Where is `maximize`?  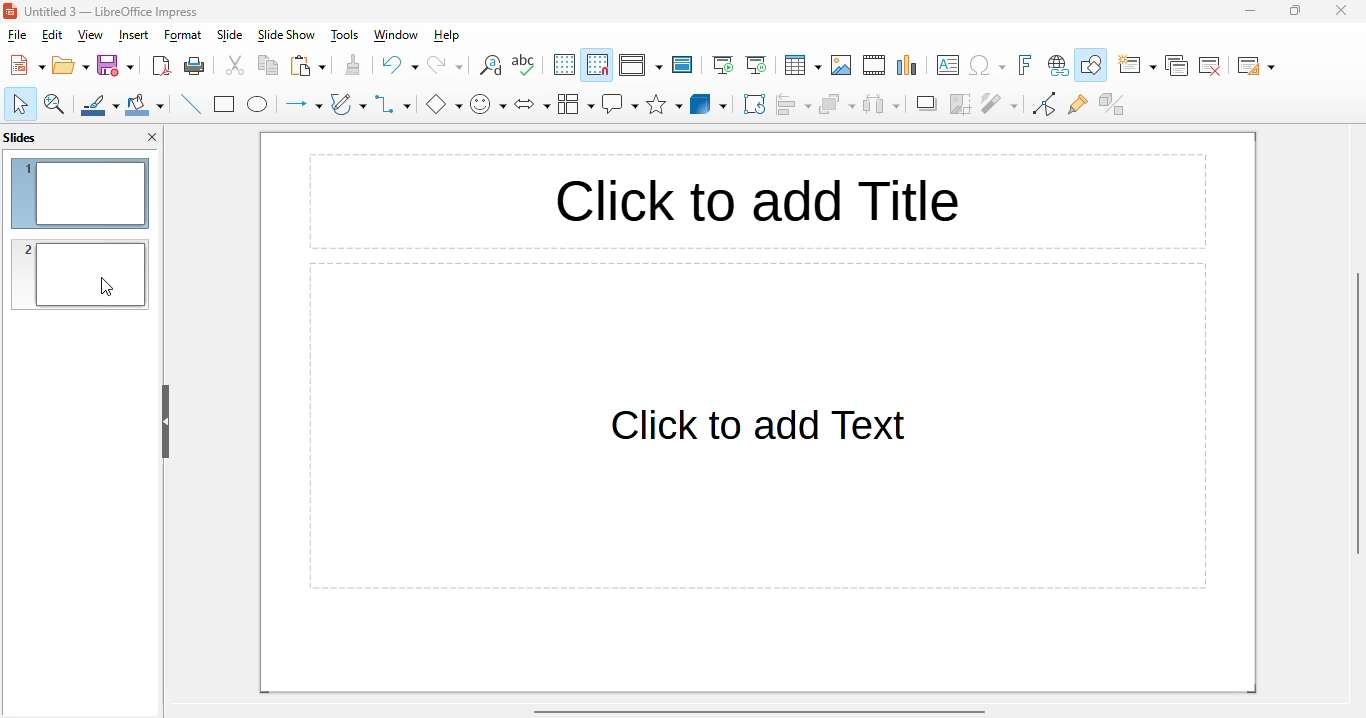 maximize is located at coordinates (1296, 11).